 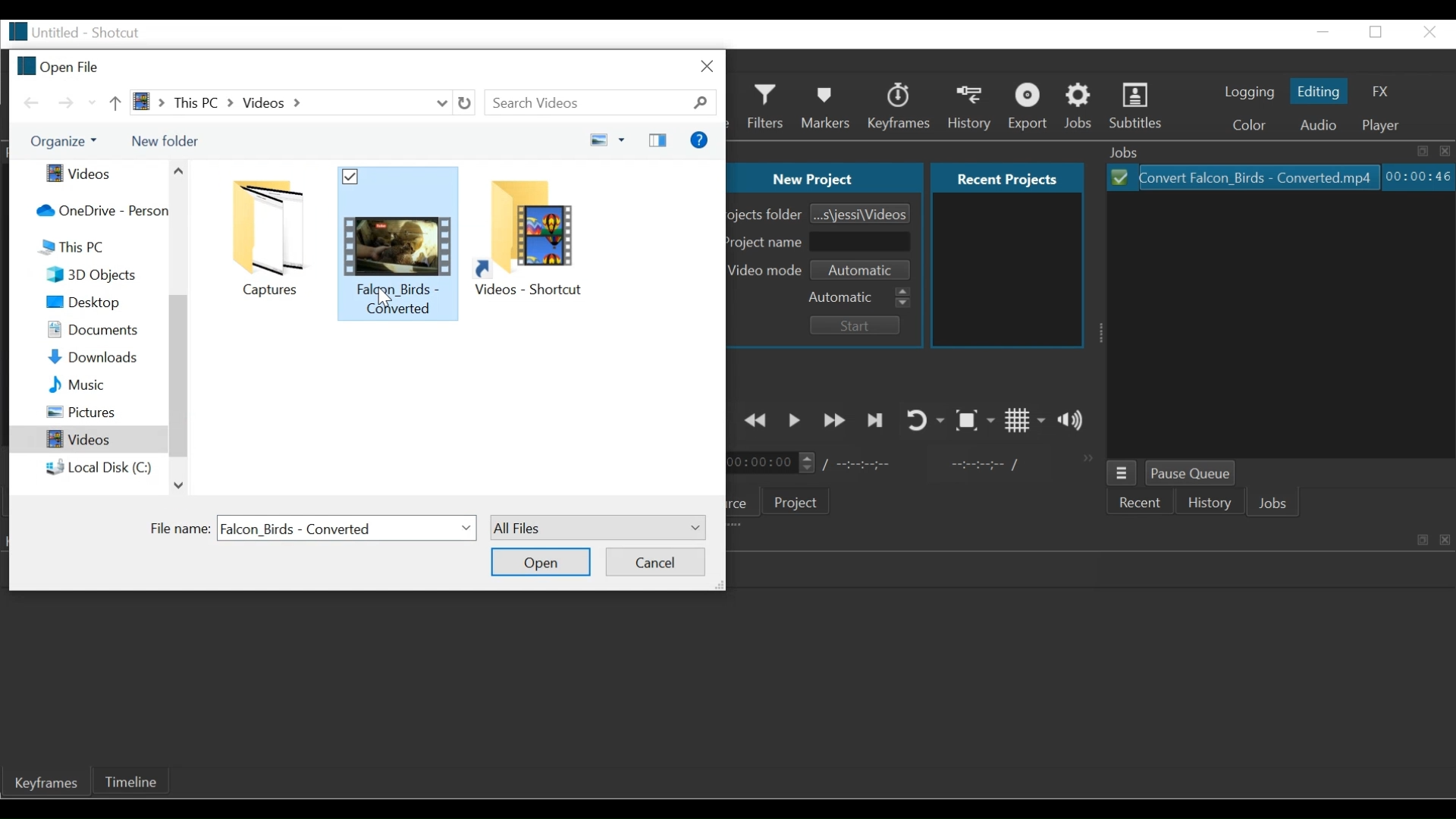 What do you see at coordinates (1250, 93) in the screenshot?
I see `logging` at bounding box center [1250, 93].